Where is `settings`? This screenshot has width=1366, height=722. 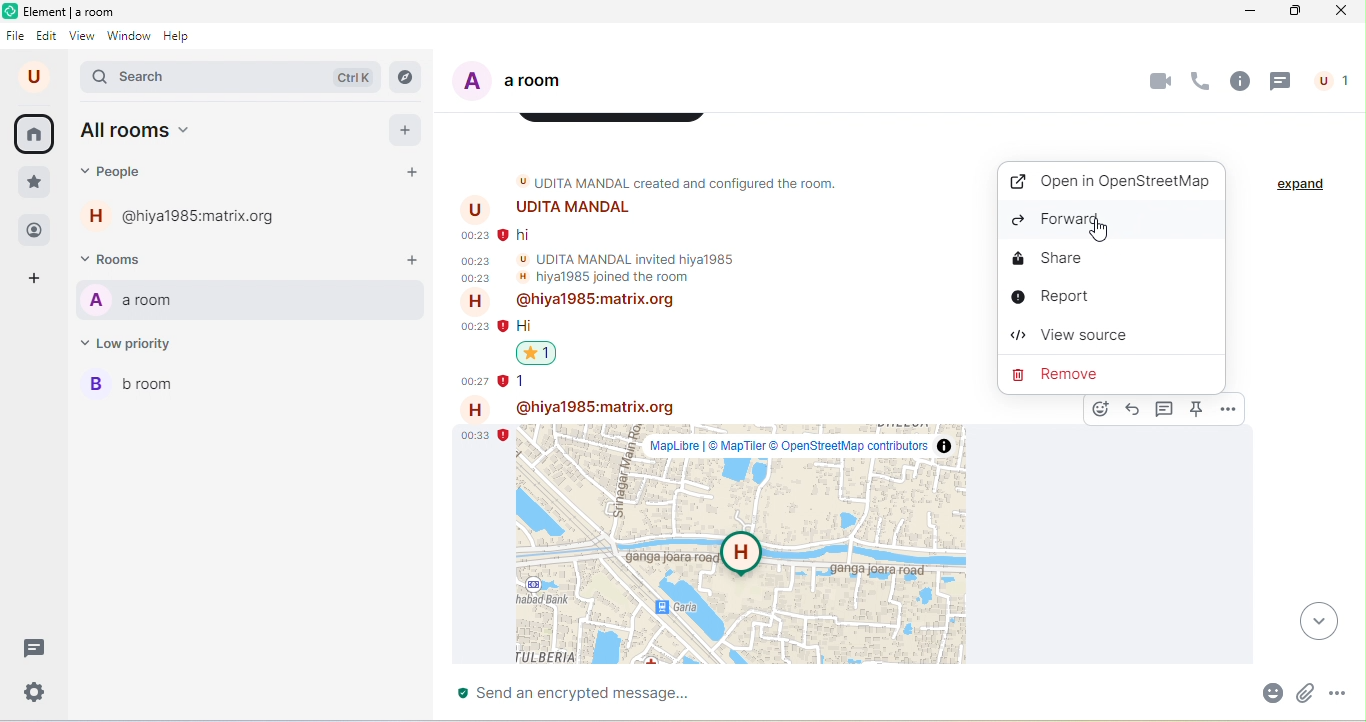
settings is located at coordinates (38, 691).